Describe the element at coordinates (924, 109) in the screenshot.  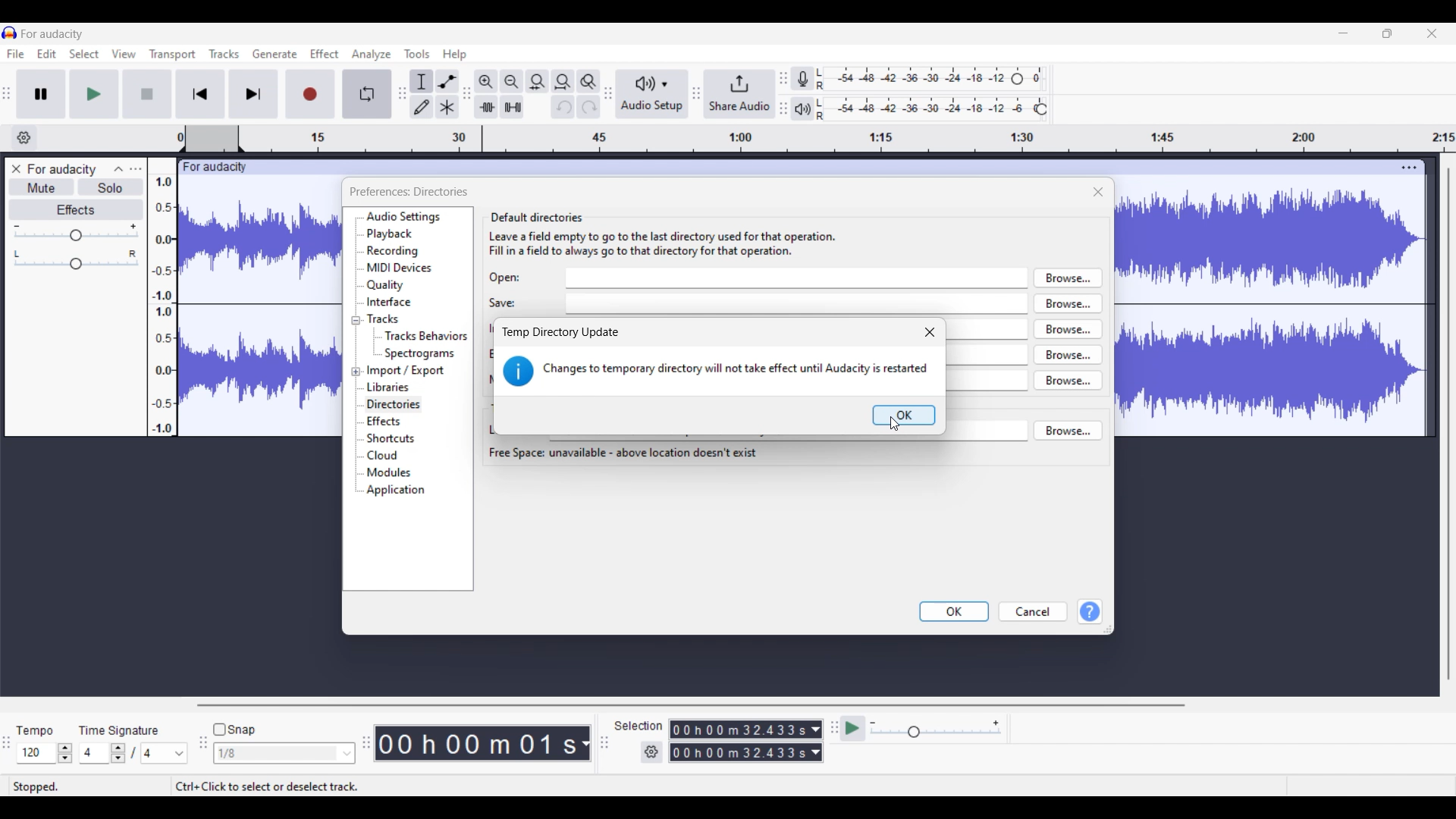
I see `Playback level` at that location.